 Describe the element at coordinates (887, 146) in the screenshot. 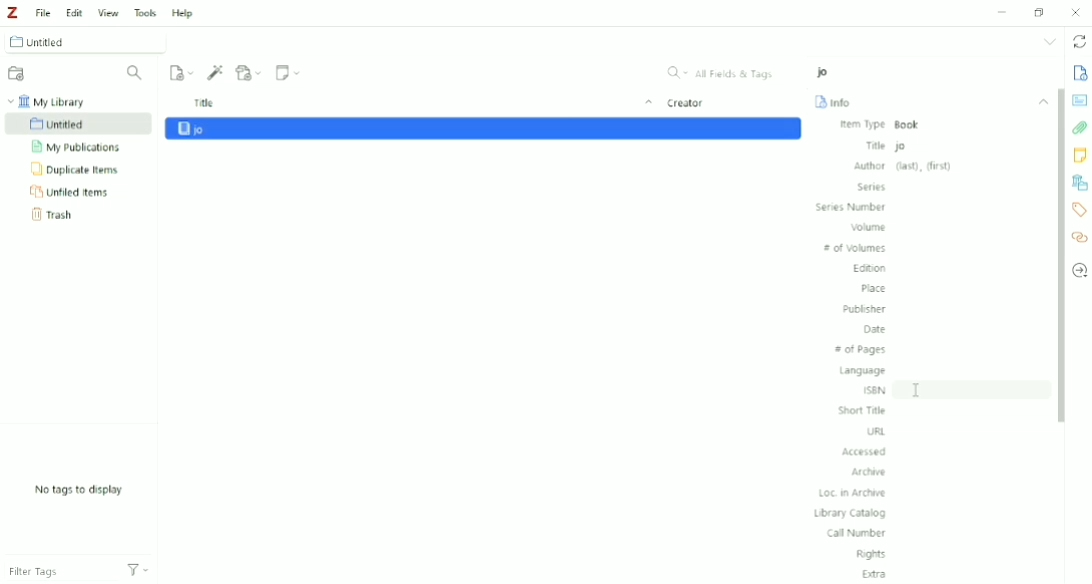

I see `Title jo` at that location.